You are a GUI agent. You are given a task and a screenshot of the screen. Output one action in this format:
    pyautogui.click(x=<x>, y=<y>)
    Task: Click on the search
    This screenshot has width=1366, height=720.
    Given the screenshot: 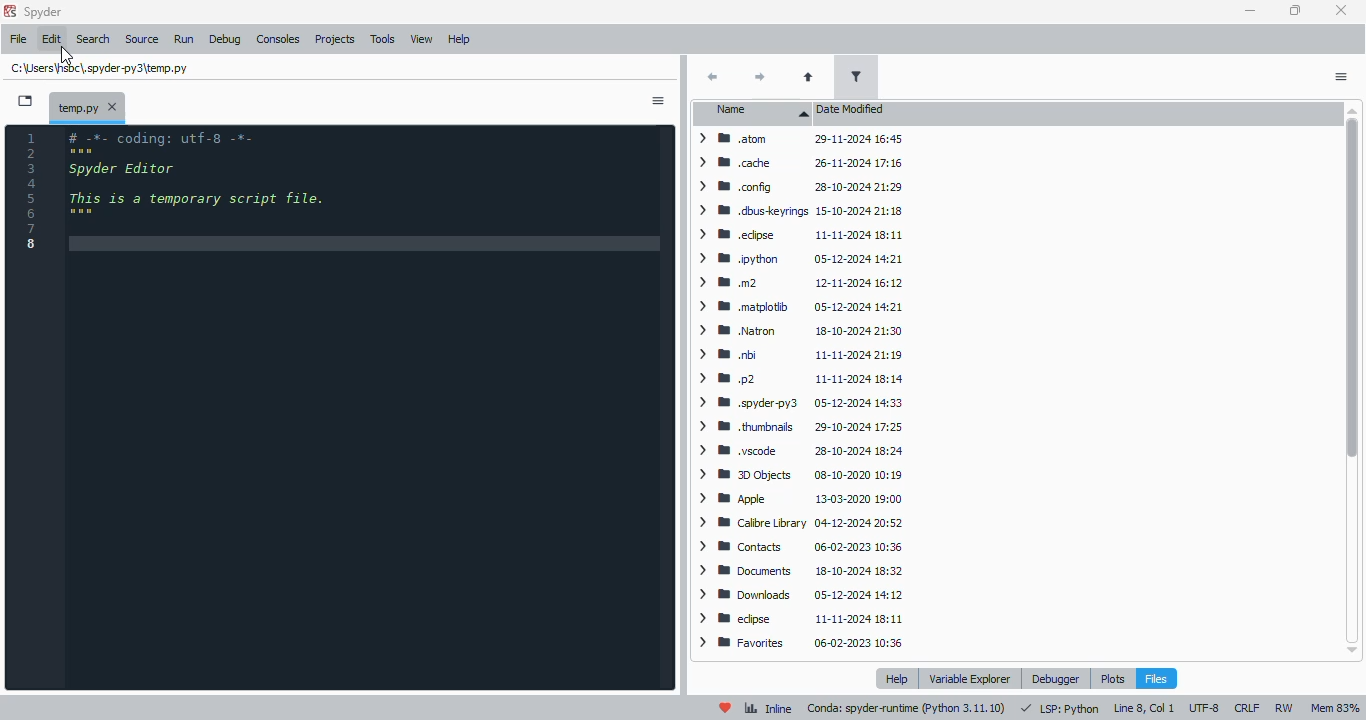 What is the action you would take?
    pyautogui.click(x=94, y=38)
    